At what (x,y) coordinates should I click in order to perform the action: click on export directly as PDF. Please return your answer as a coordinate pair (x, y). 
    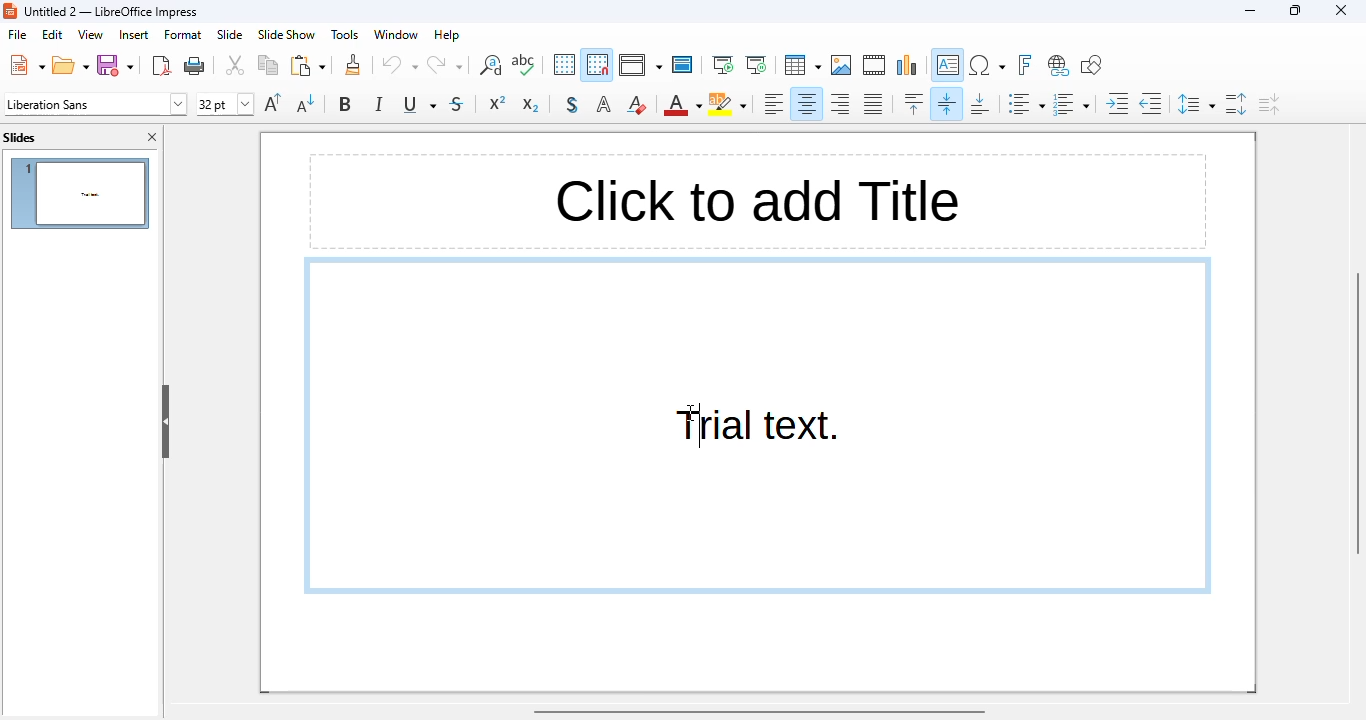
    Looking at the image, I should click on (163, 65).